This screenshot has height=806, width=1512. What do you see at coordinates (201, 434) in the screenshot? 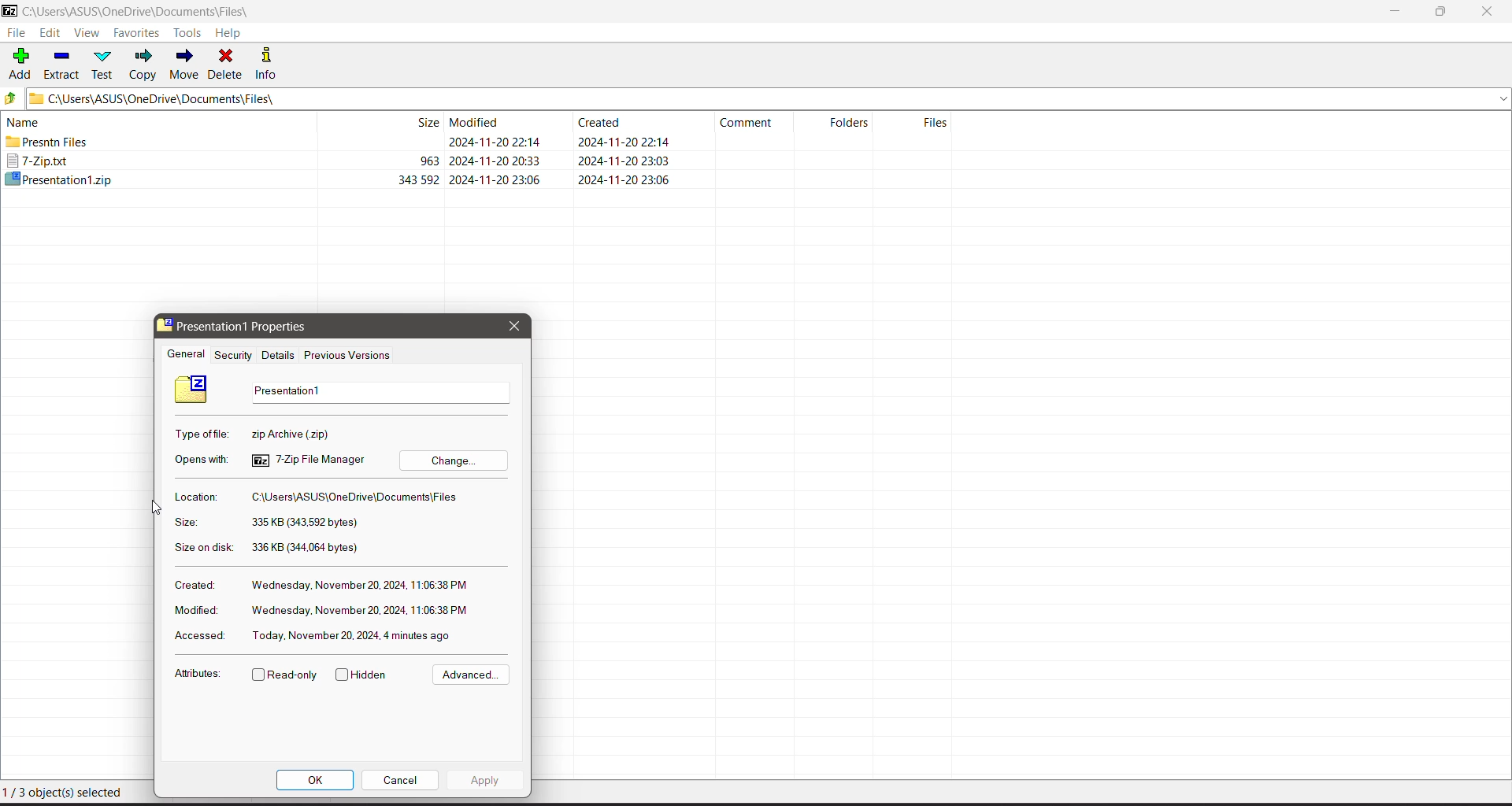
I see `Type of file` at bounding box center [201, 434].